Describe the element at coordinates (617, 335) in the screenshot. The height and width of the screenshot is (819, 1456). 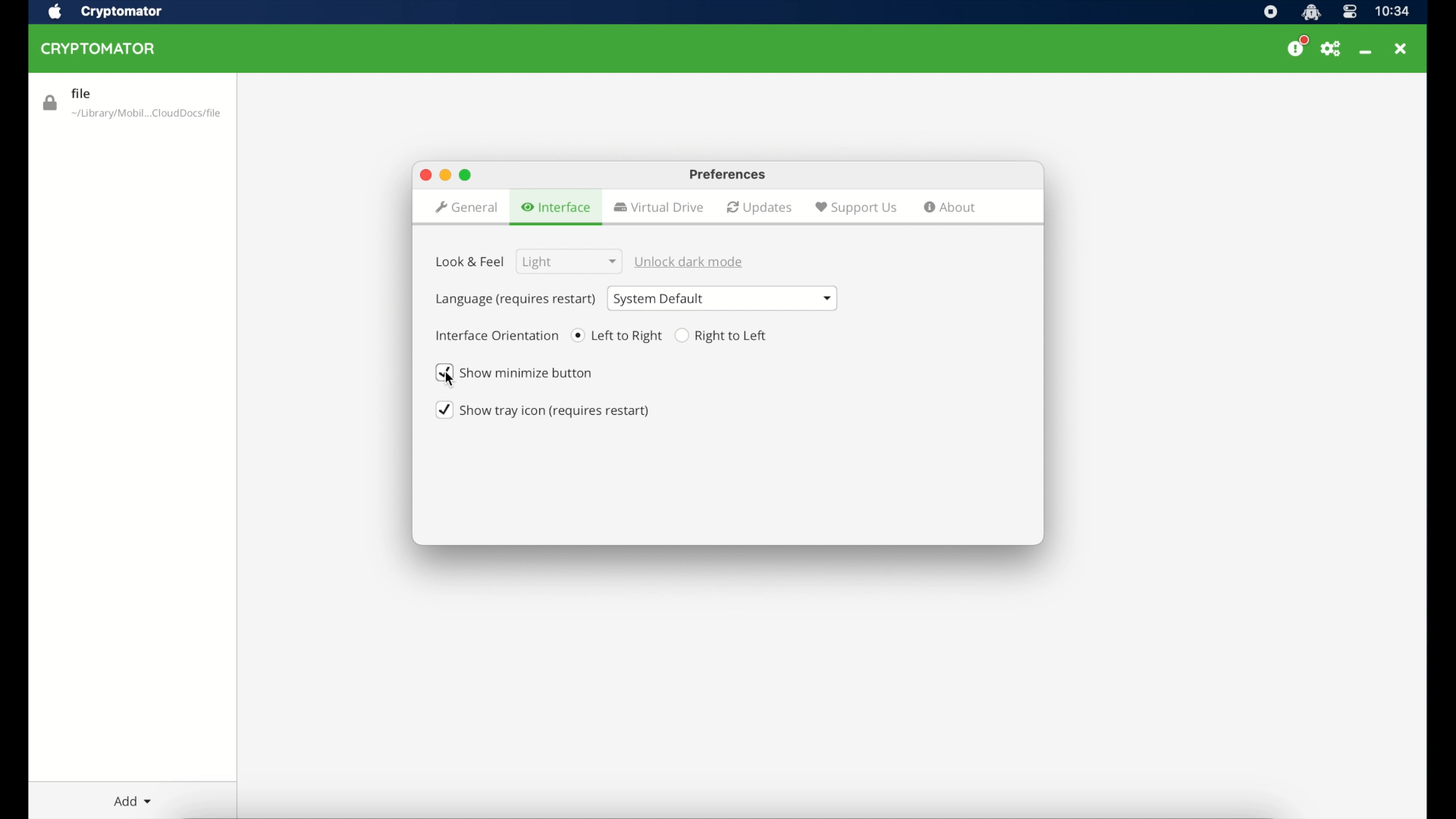
I see `radio button` at that location.